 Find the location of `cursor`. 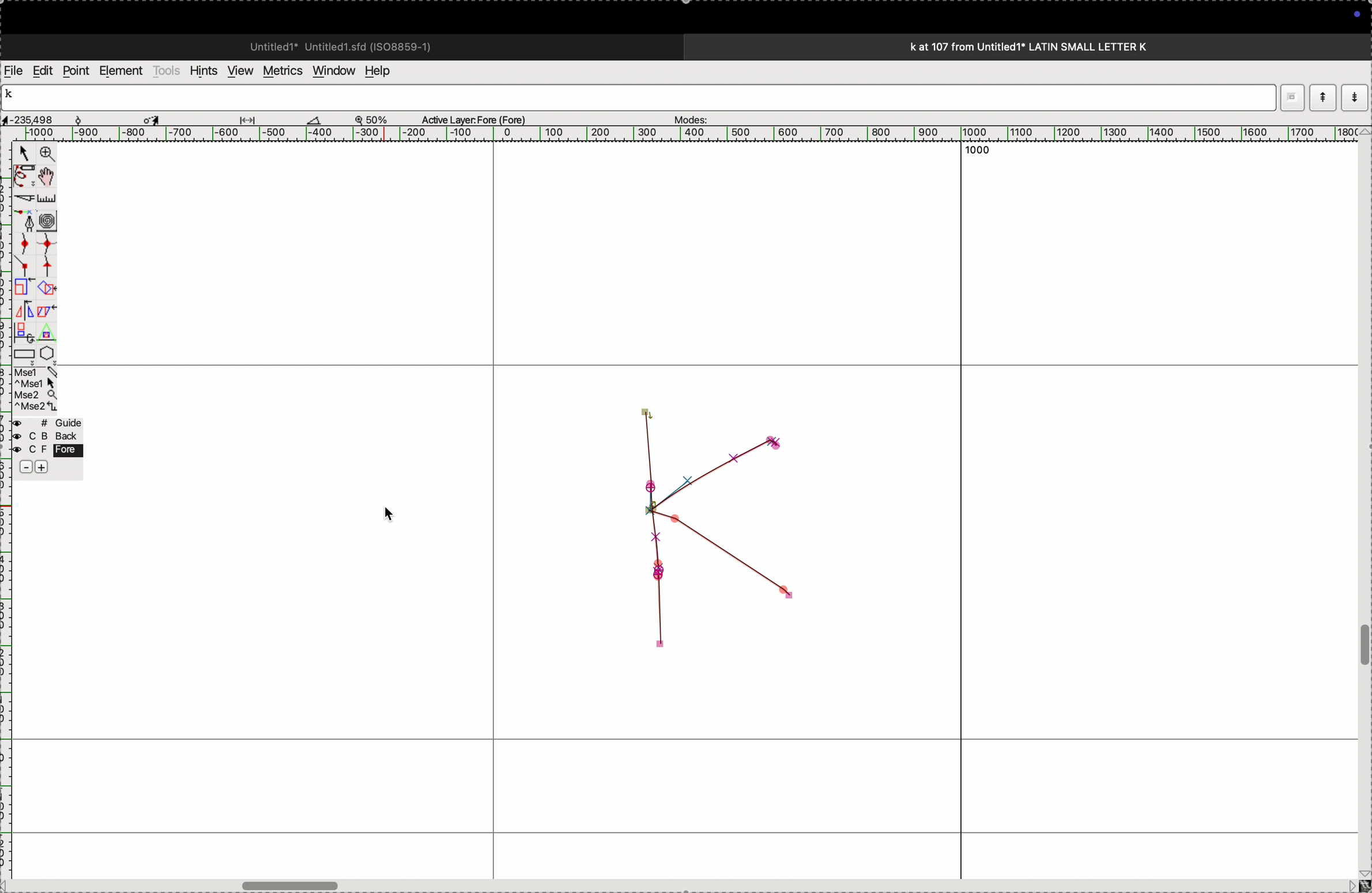

cursor is located at coordinates (24, 155).